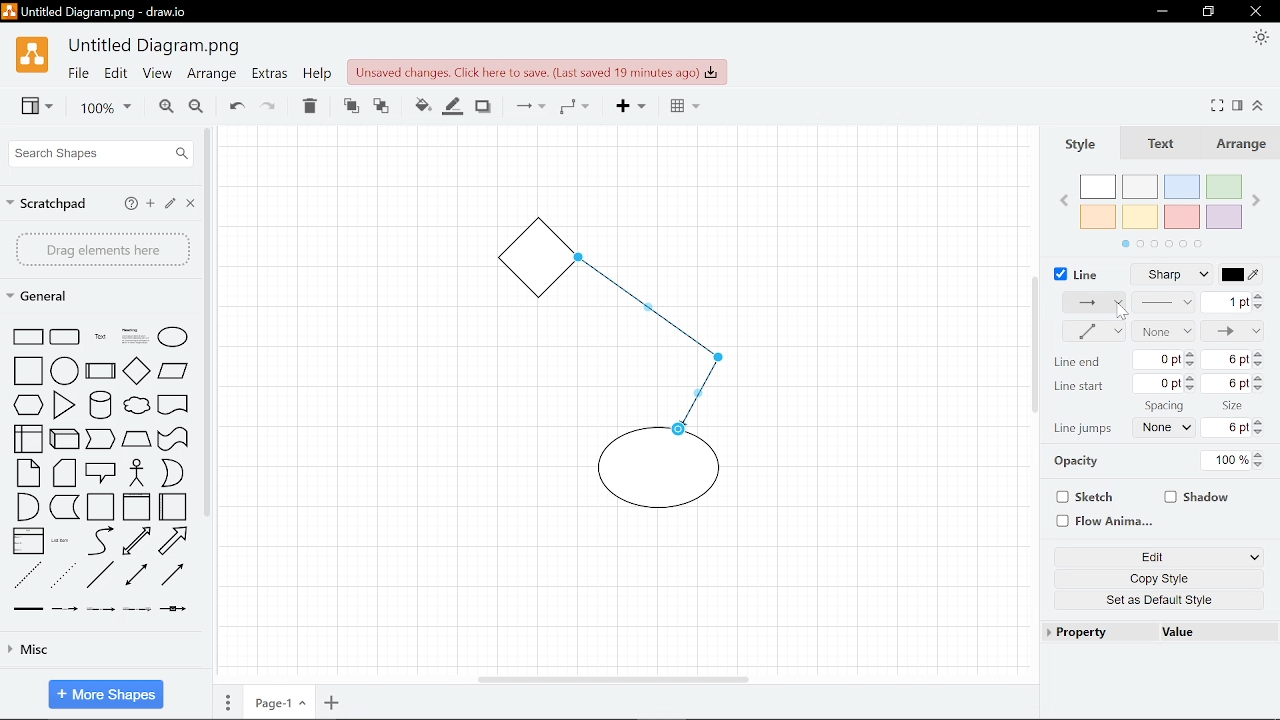 The width and height of the screenshot is (1280, 720). Describe the element at coordinates (67, 610) in the screenshot. I see `shape` at that location.